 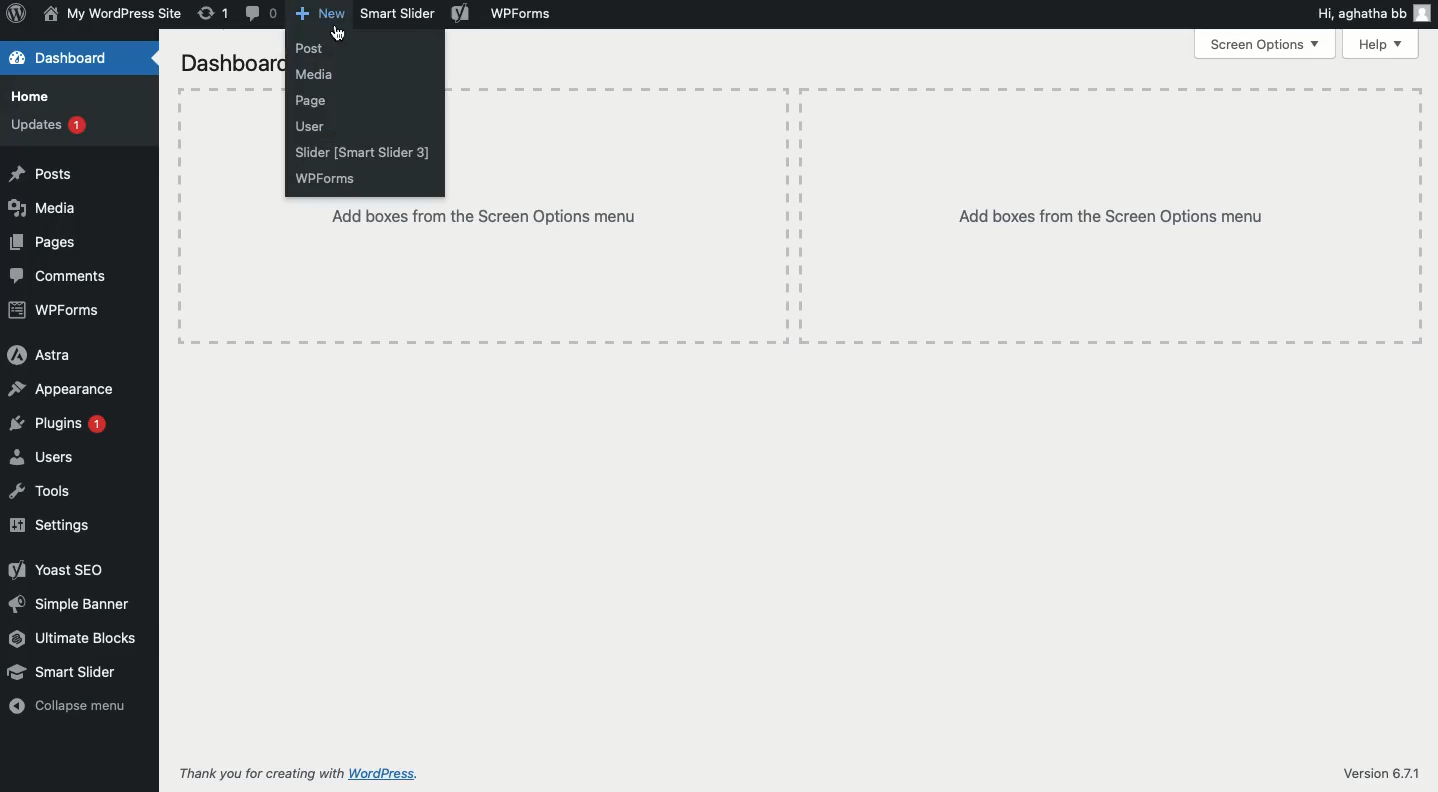 I want to click on Add boxes from the screen options menu, so click(x=484, y=273).